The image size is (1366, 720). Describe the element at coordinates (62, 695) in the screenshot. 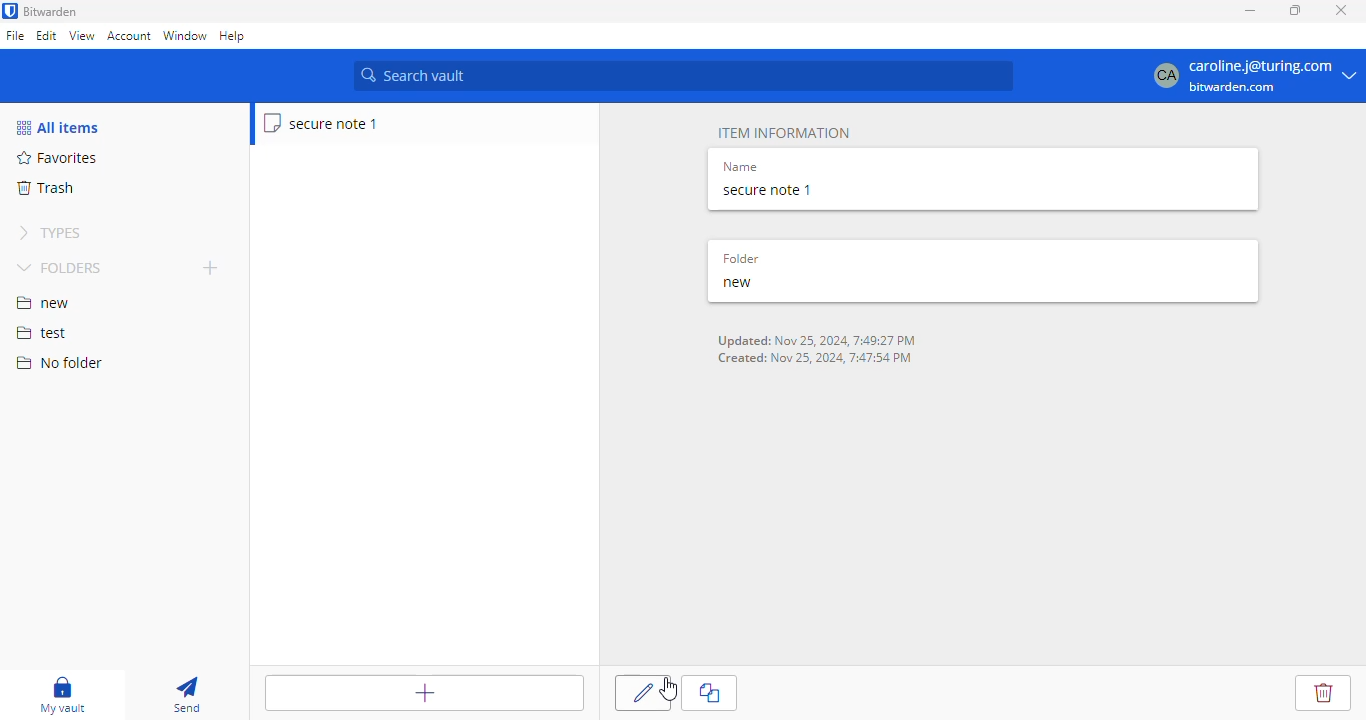

I see `my vault` at that location.